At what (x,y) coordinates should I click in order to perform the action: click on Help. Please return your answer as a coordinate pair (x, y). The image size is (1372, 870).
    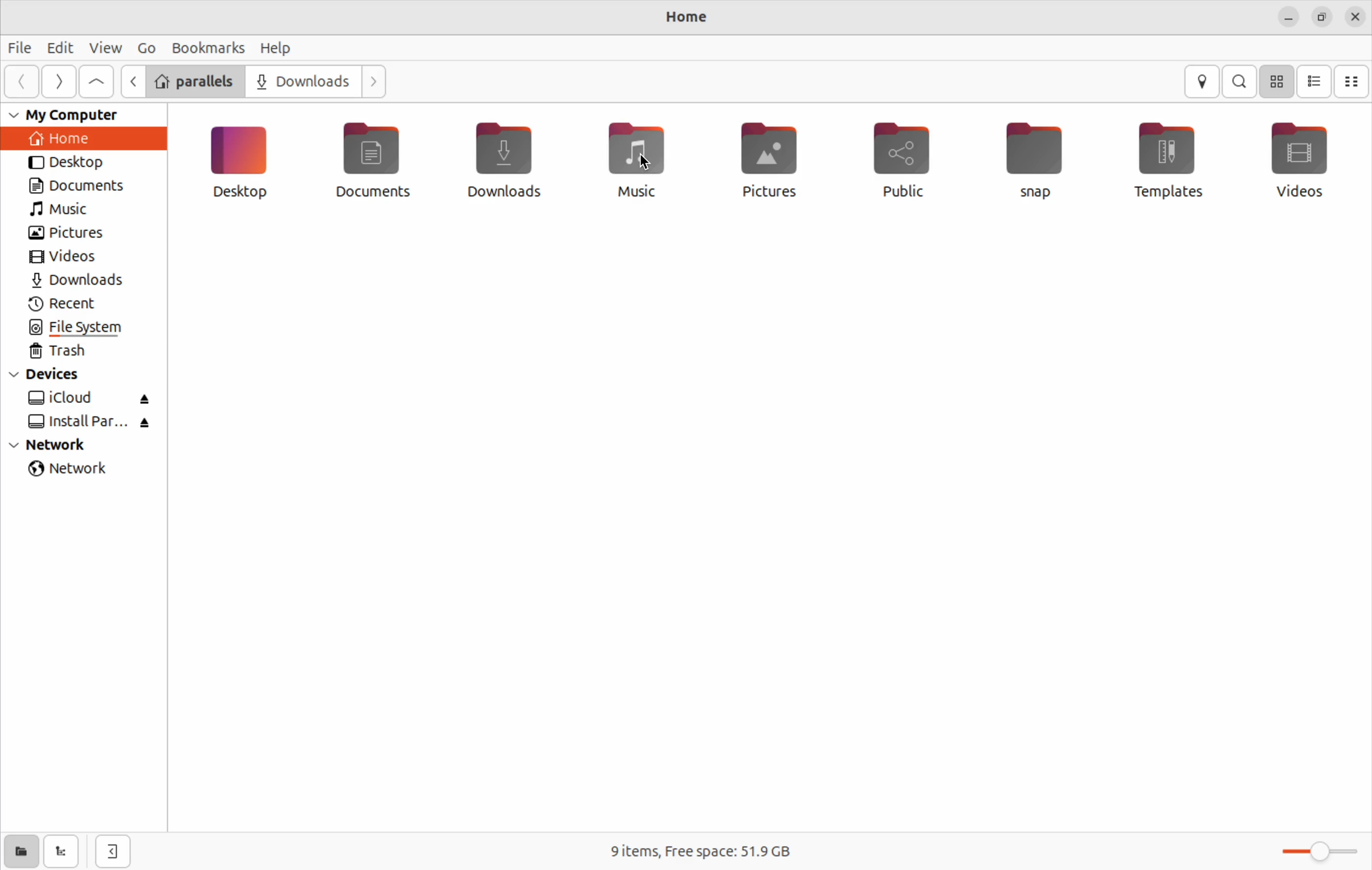
    Looking at the image, I should click on (277, 48).